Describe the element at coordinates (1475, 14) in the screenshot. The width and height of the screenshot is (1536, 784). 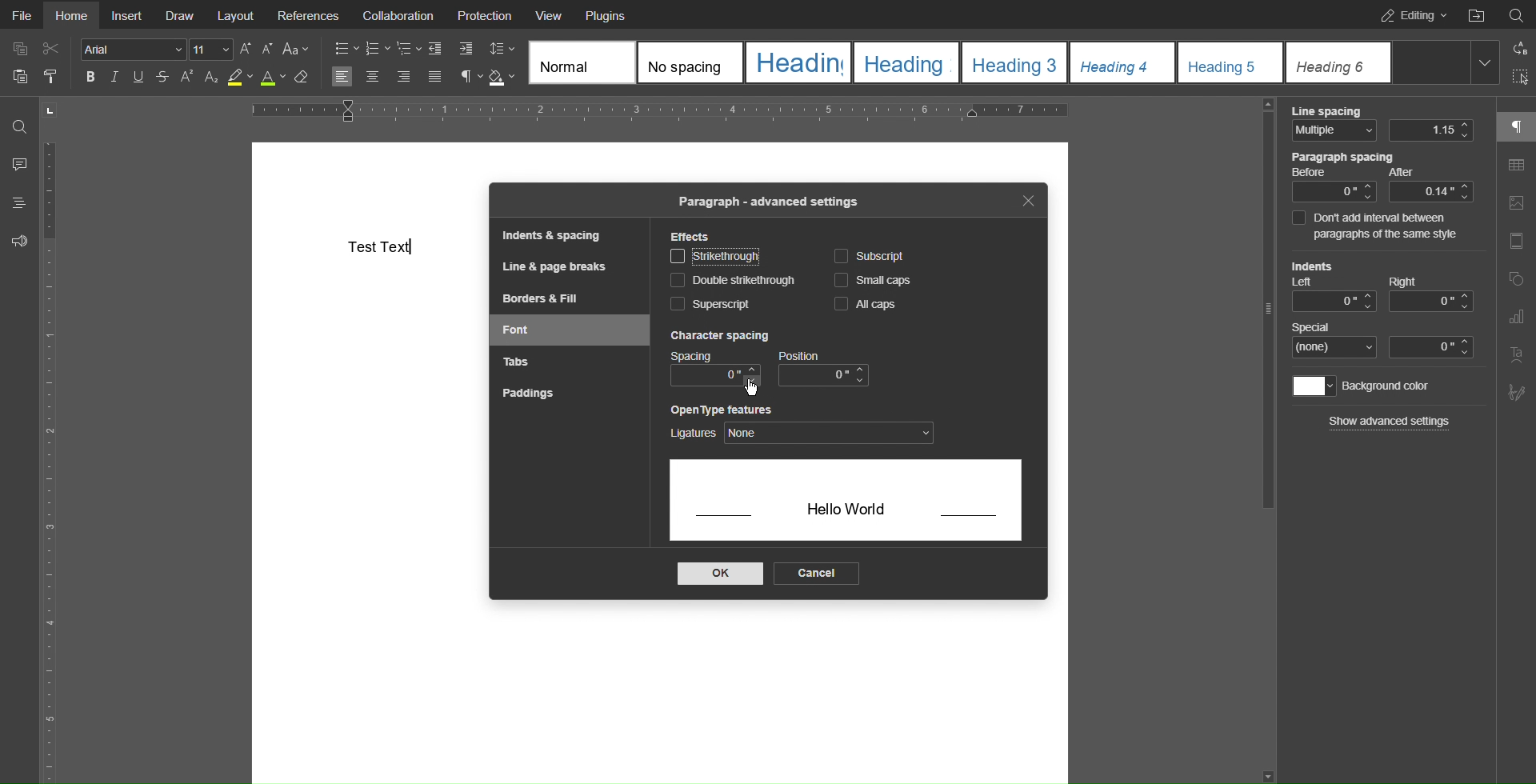
I see `Open File Location` at that location.